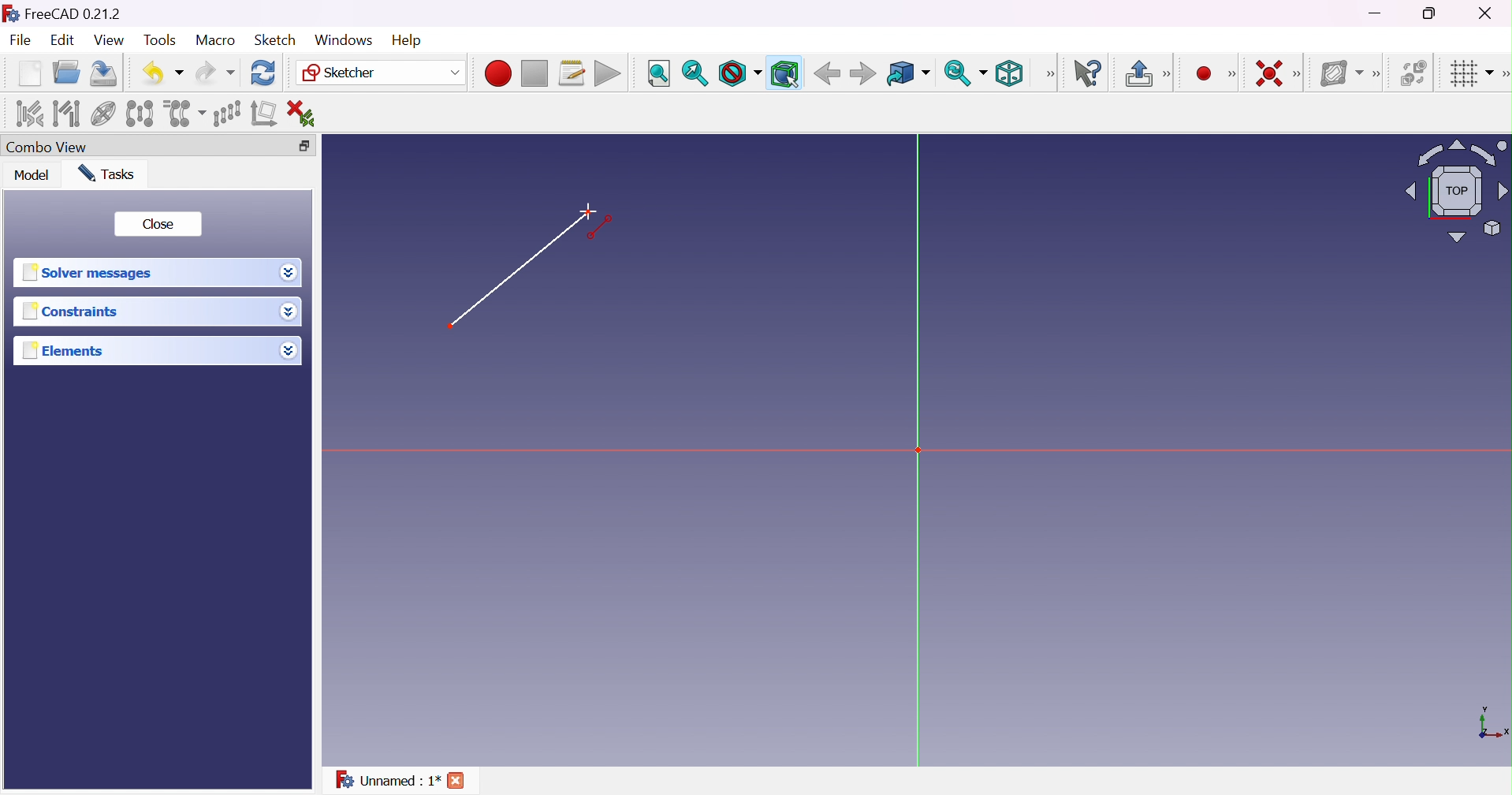  I want to click on Cursor, so click(588, 210).